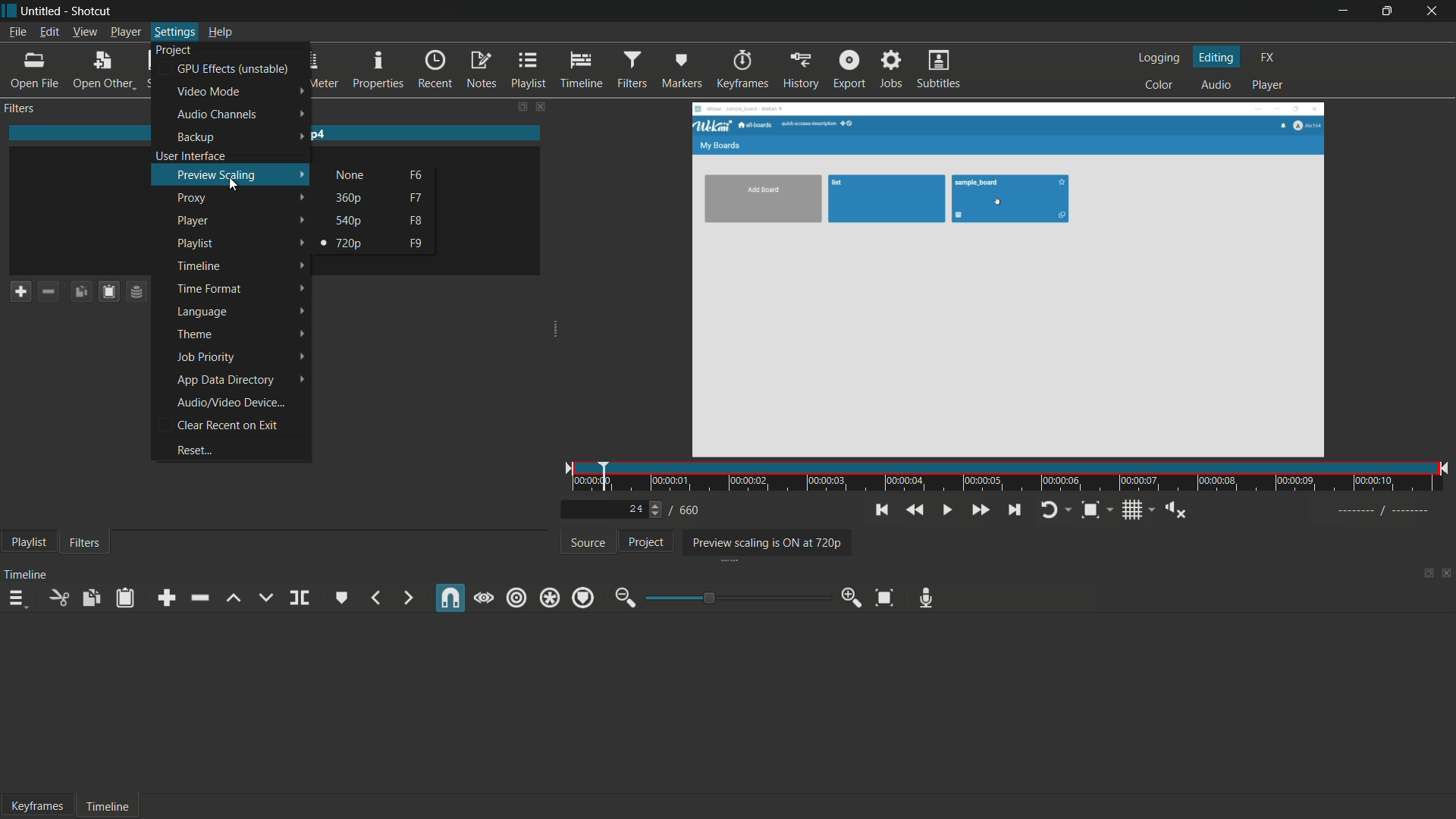  What do you see at coordinates (851, 71) in the screenshot?
I see `export` at bounding box center [851, 71].